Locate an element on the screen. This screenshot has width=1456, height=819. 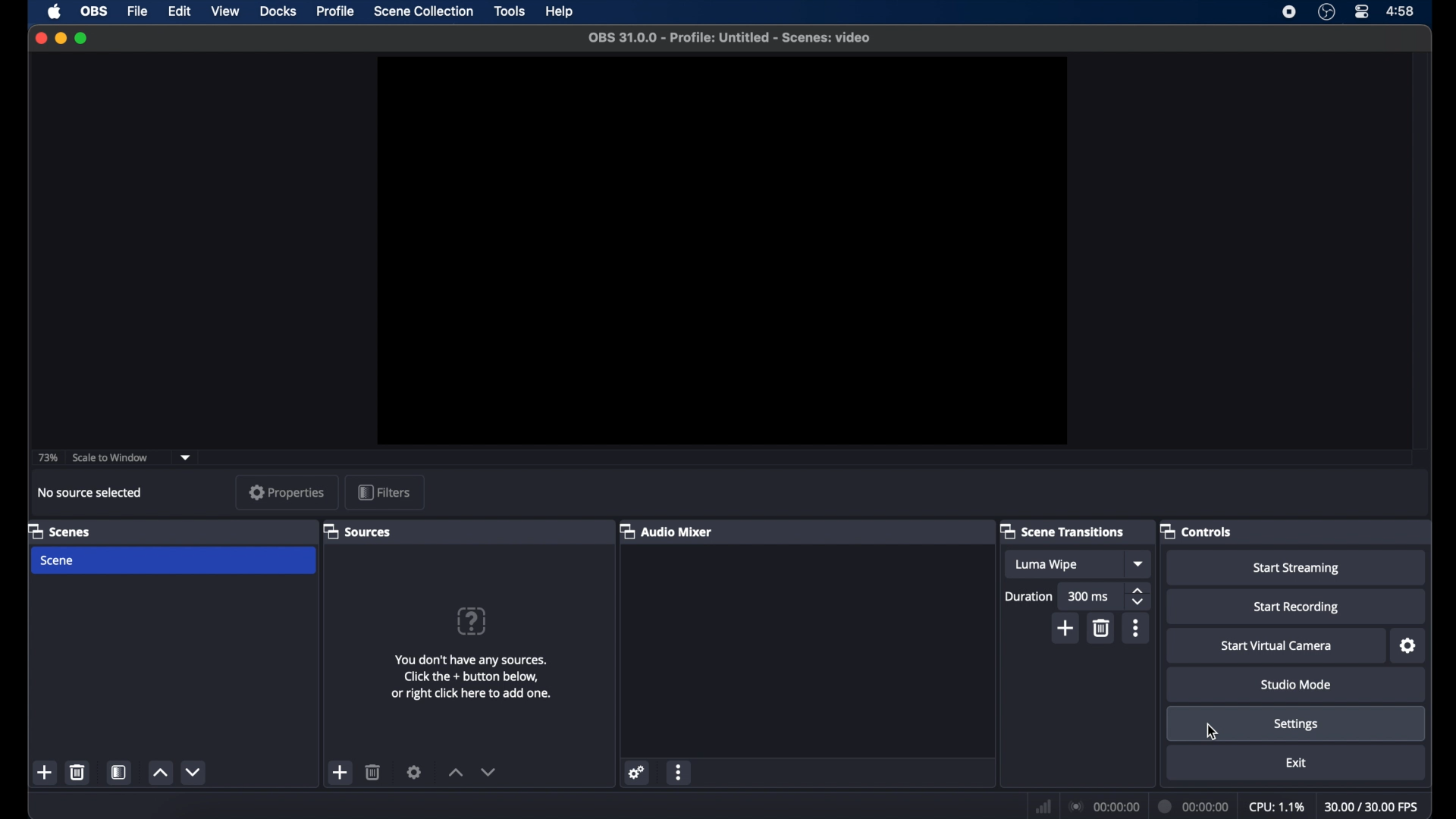
duration is located at coordinates (1028, 596).